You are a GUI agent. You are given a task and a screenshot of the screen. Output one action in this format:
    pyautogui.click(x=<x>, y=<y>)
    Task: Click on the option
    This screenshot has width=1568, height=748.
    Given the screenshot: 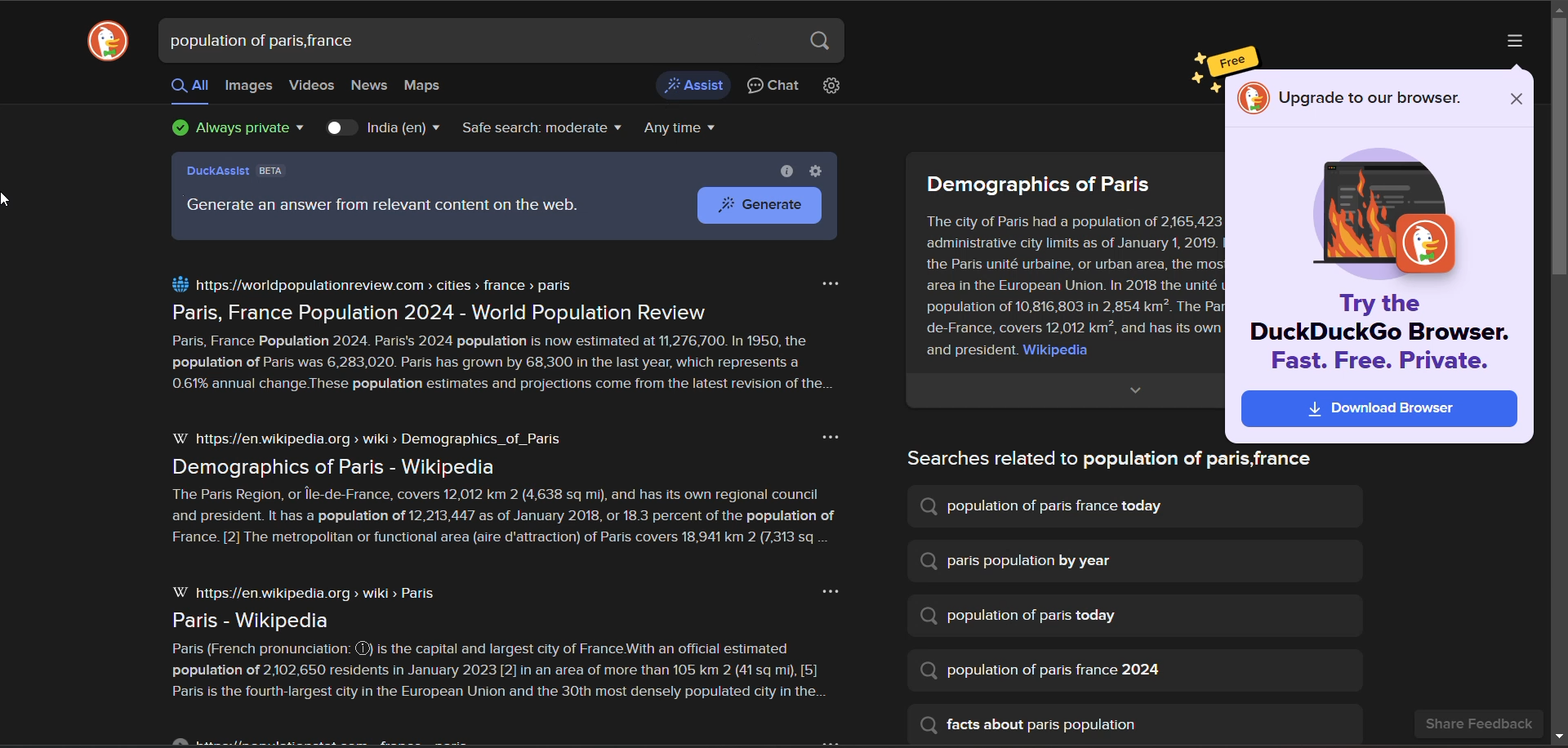 What is the action you would take?
    pyautogui.click(x=829, y=593)
    